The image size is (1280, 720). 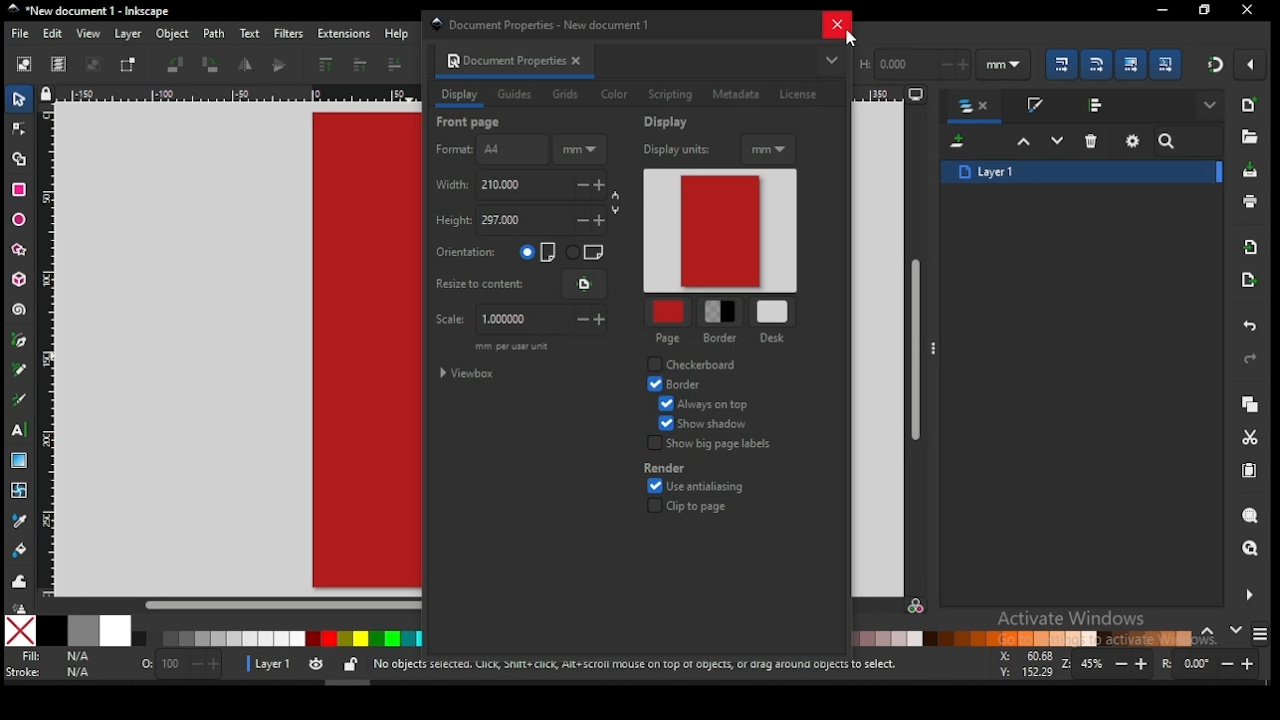 What do you see at coordinates (324, 65) in the screenshot?
I see `rise to top` at bounding box center [324, 65].